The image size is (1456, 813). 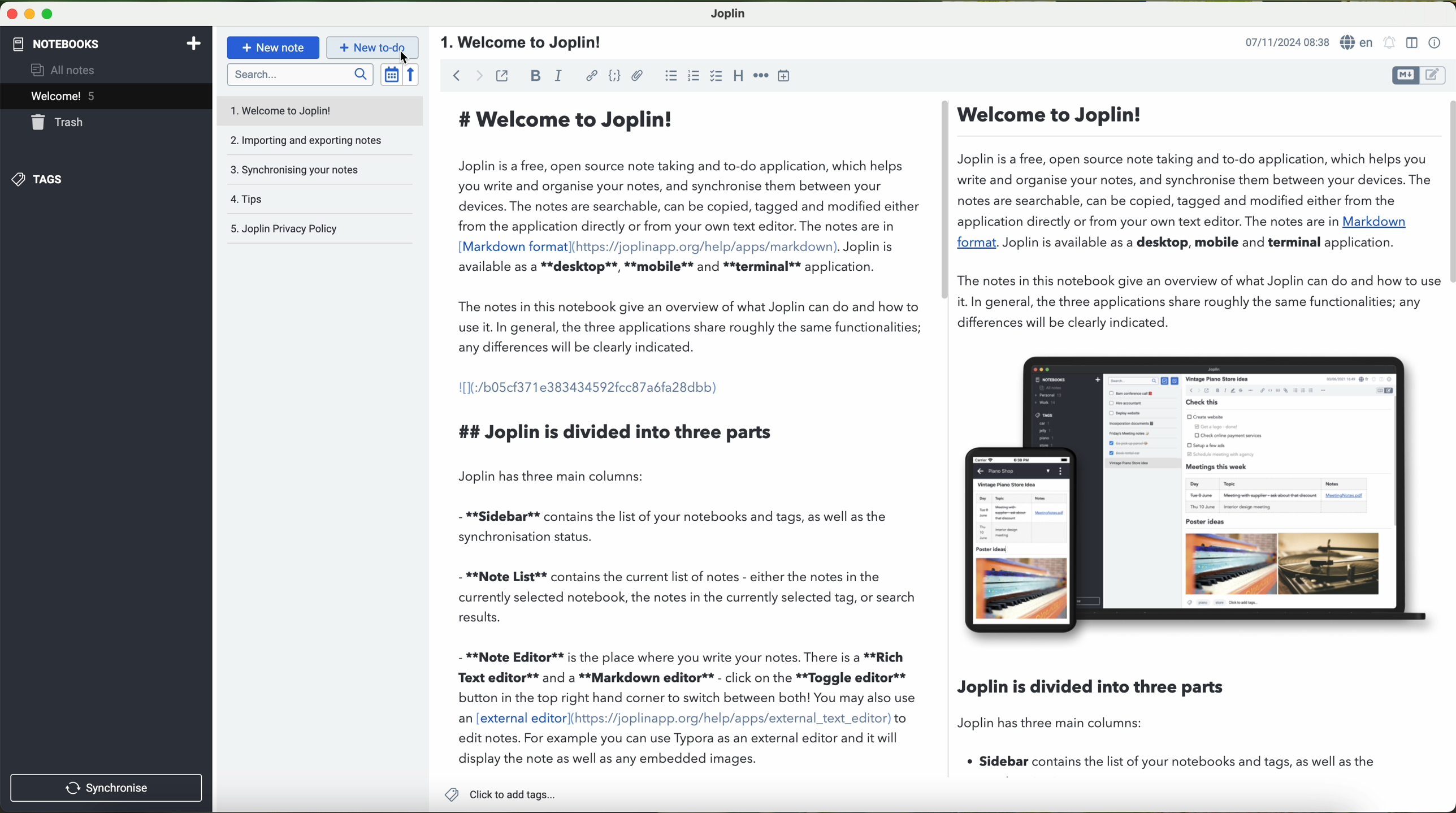 What do you see at coordinates (1286, 43) in the screenshot?
I see `hour and date` at bounding box center [1286, 43].